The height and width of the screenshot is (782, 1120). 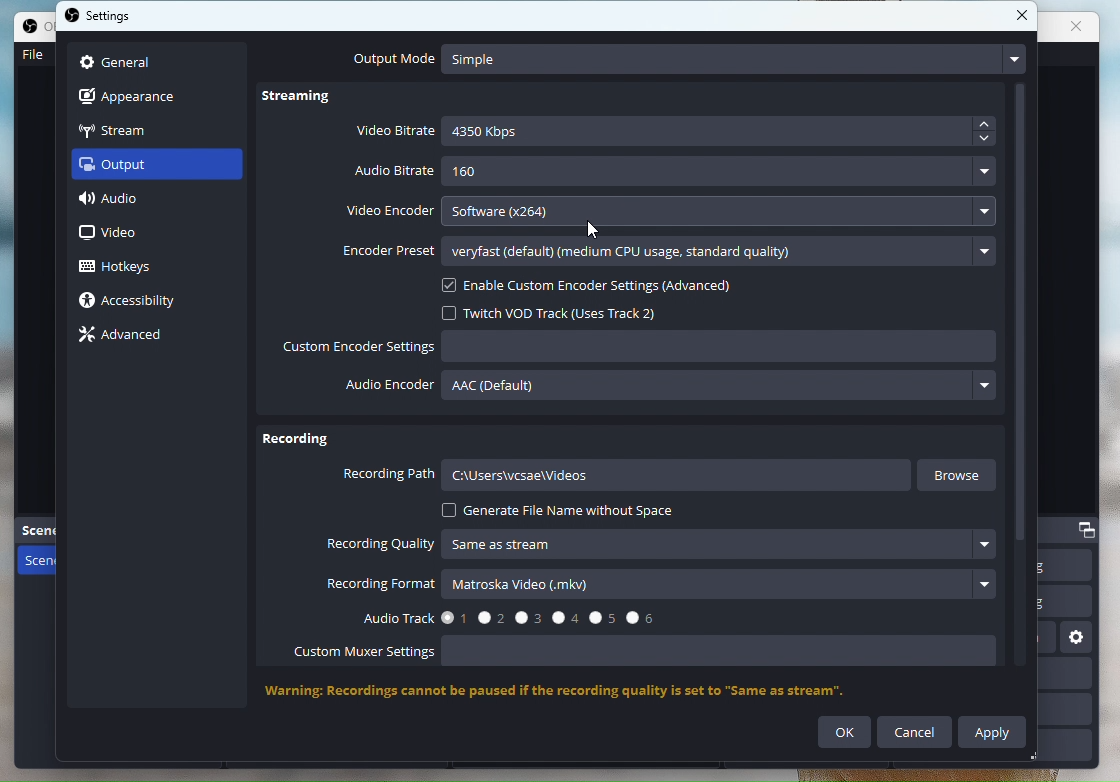 I want to click on video, so click(x=114, y=234).